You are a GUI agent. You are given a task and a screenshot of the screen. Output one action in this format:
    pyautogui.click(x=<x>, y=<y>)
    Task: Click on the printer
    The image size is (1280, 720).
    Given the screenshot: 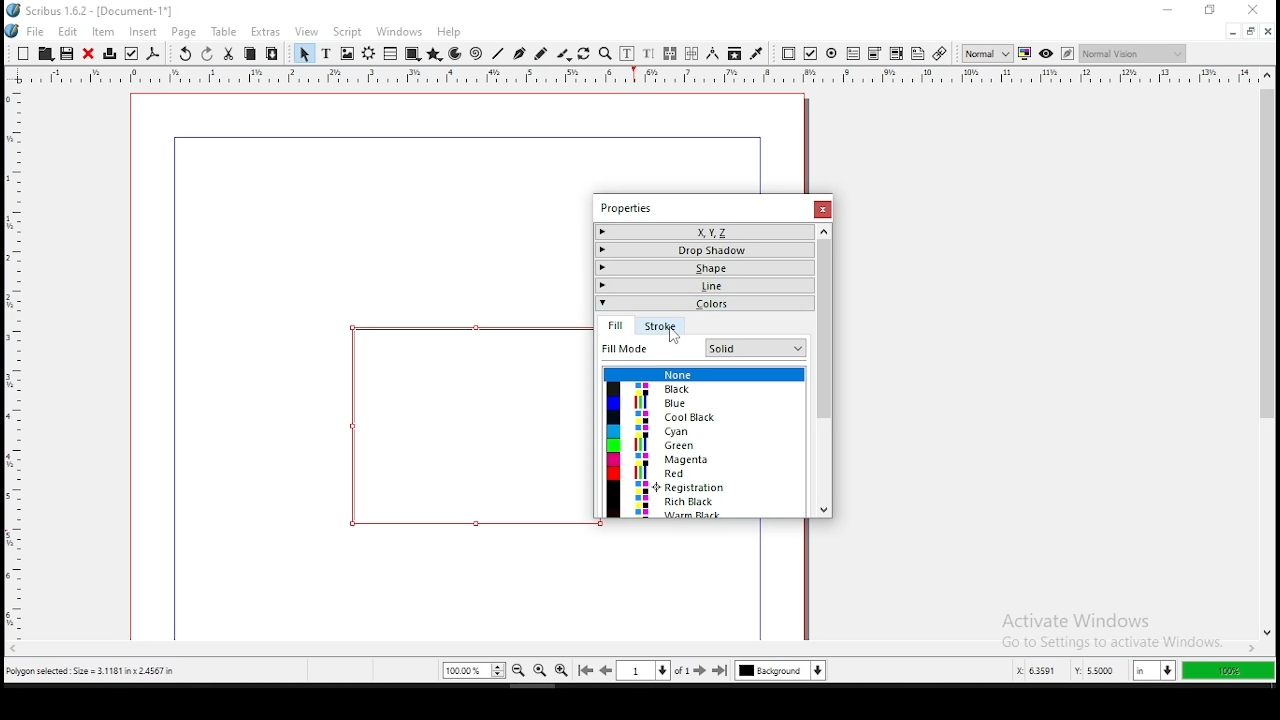 What is the action you would take?
    pyautogui.click(x=109, y=54)
    